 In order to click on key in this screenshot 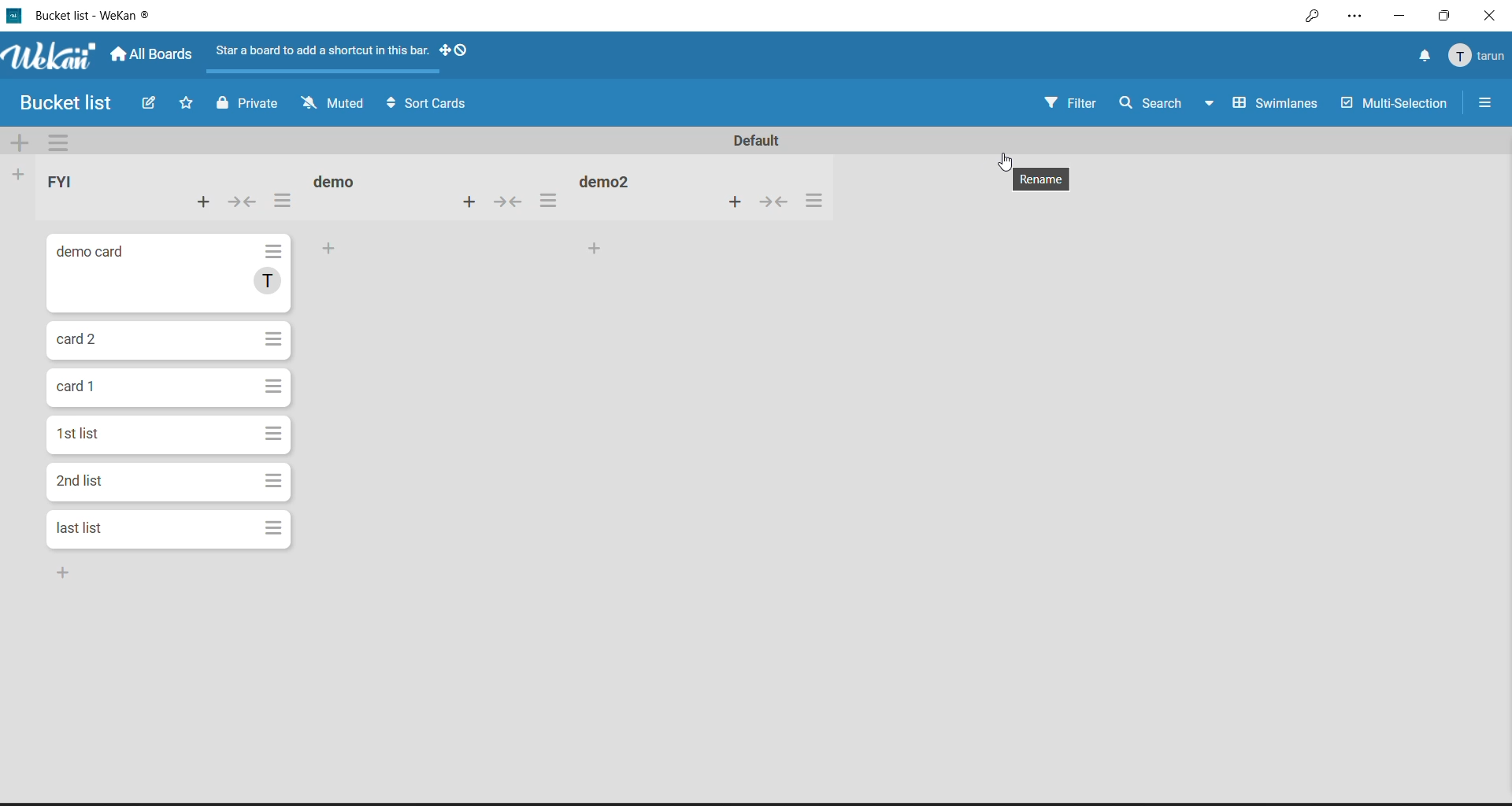, I will do `click(1311, 17)`.